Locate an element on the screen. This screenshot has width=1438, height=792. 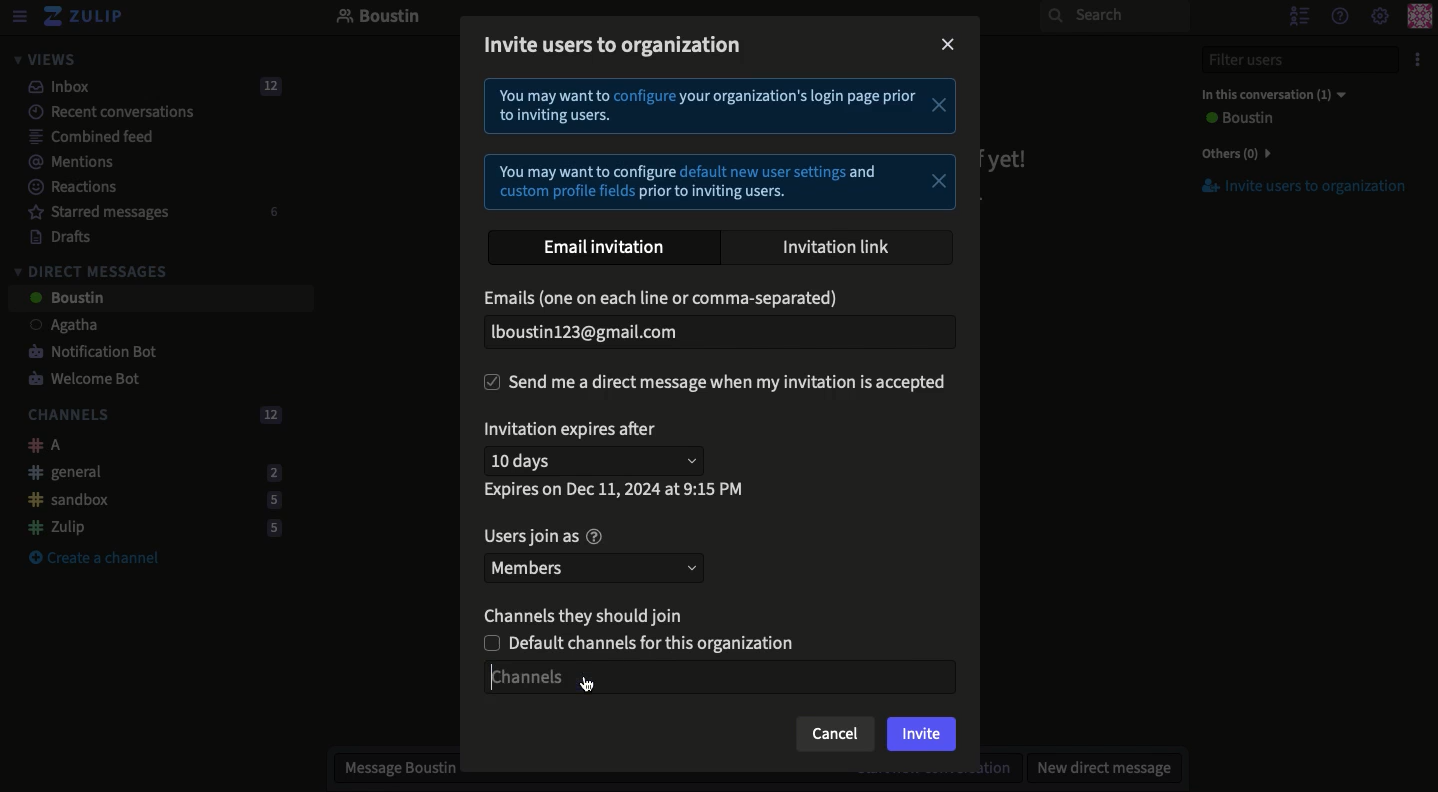
Users join as is located at coordinates (542, 536).